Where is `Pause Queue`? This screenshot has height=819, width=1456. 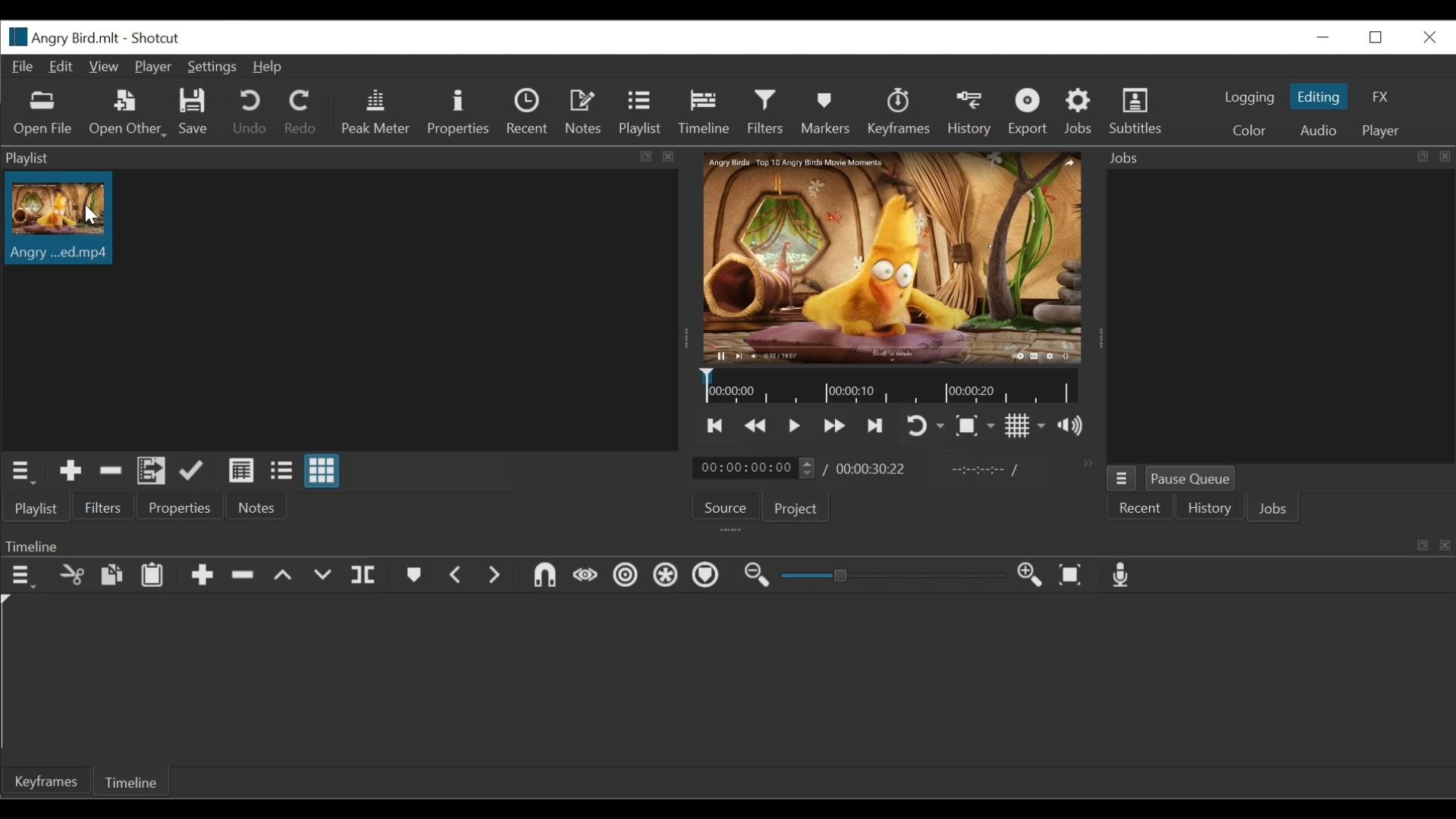 Pause Queue is located at coordinates (1193, 479).